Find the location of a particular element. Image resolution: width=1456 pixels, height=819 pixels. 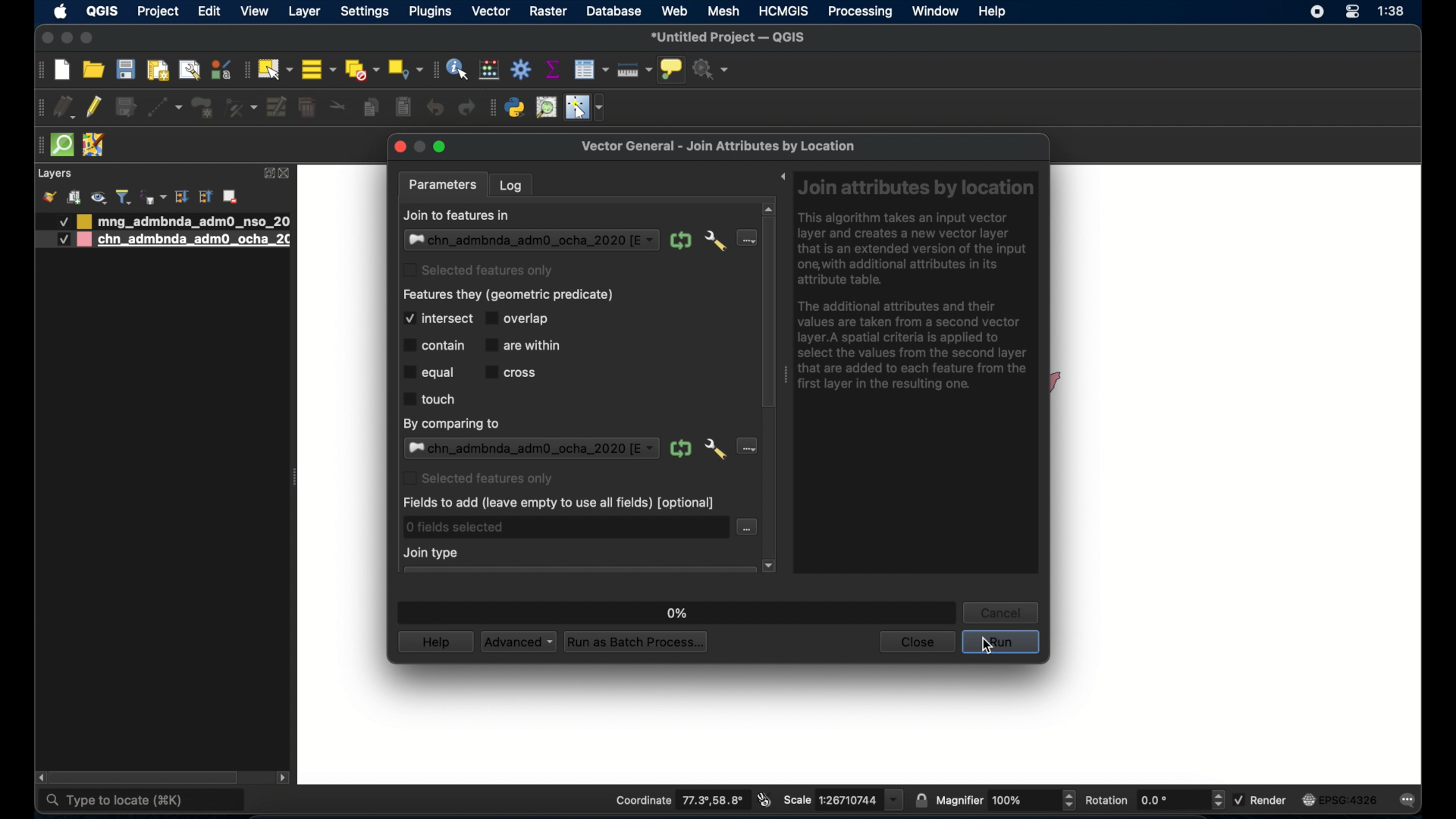

mesh is located at coordinates (723, 11).